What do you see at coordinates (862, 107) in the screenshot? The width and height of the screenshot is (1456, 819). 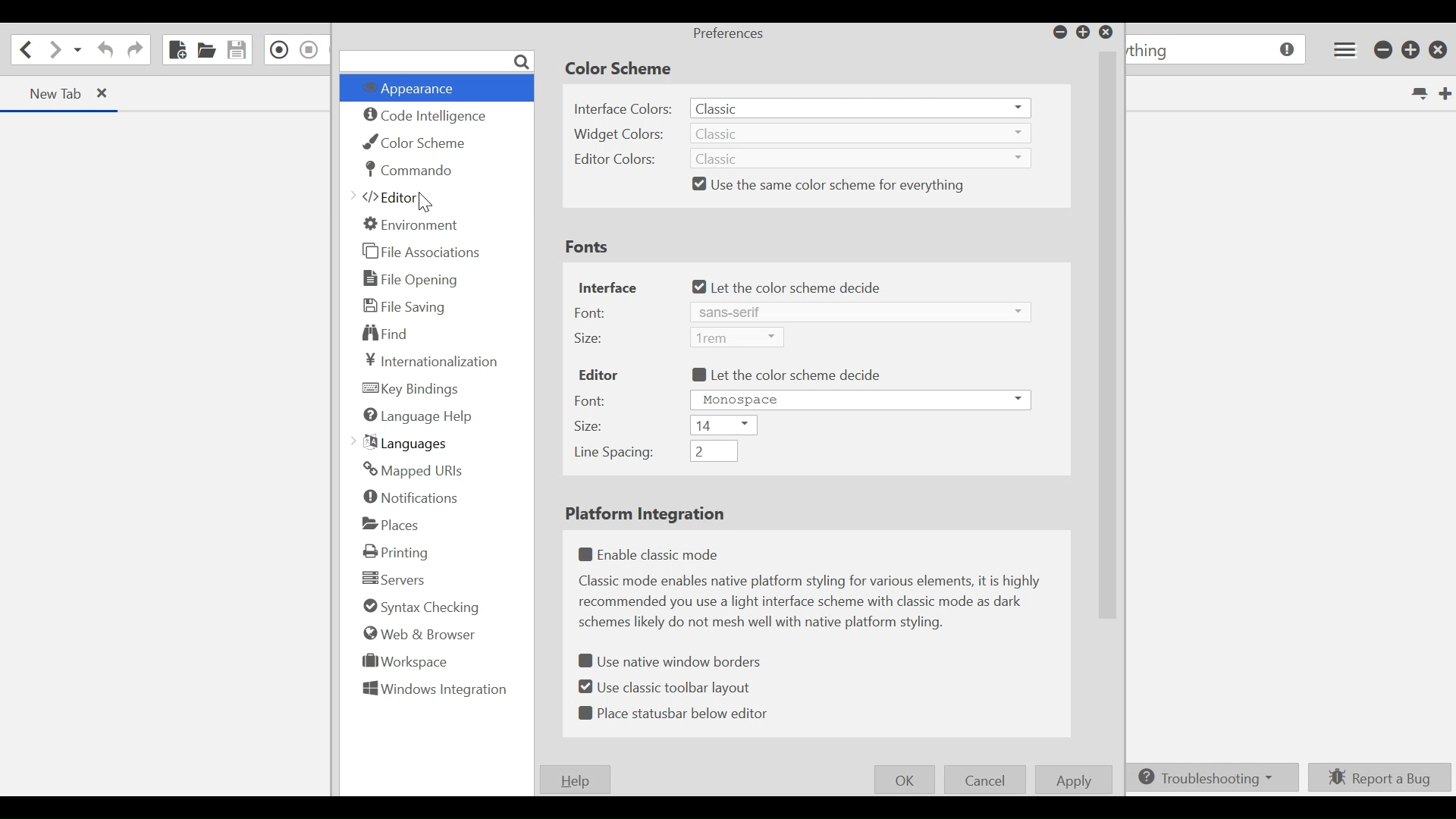 I see `classic` at bounding box center [862, 107].